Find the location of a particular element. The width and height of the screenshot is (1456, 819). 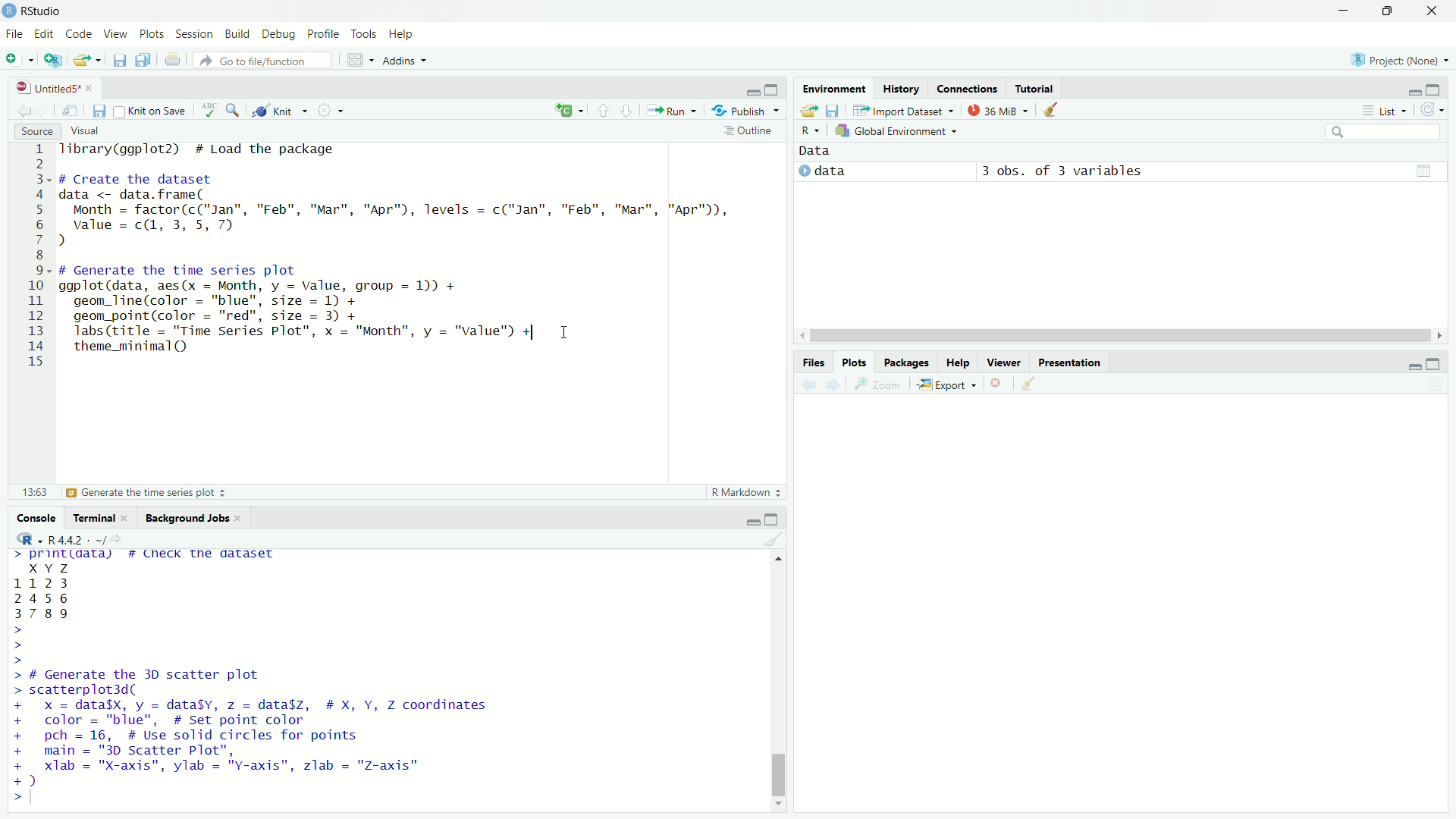

environment is located at coordinates (831, 87).